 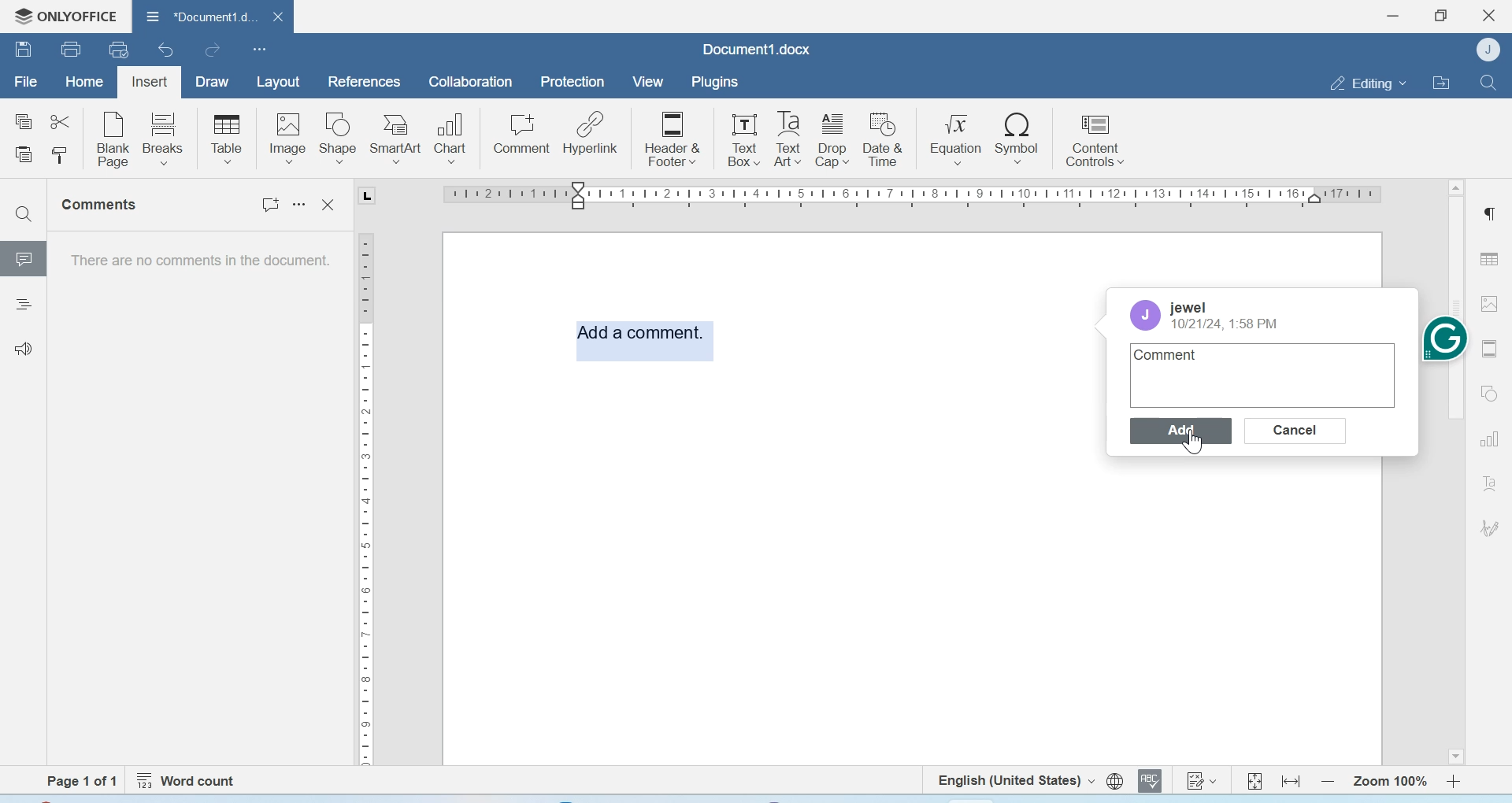 What do you see at coordinates (1148, 315) in the screenshot?
I see `Account` at bounding box center [1148, 315].